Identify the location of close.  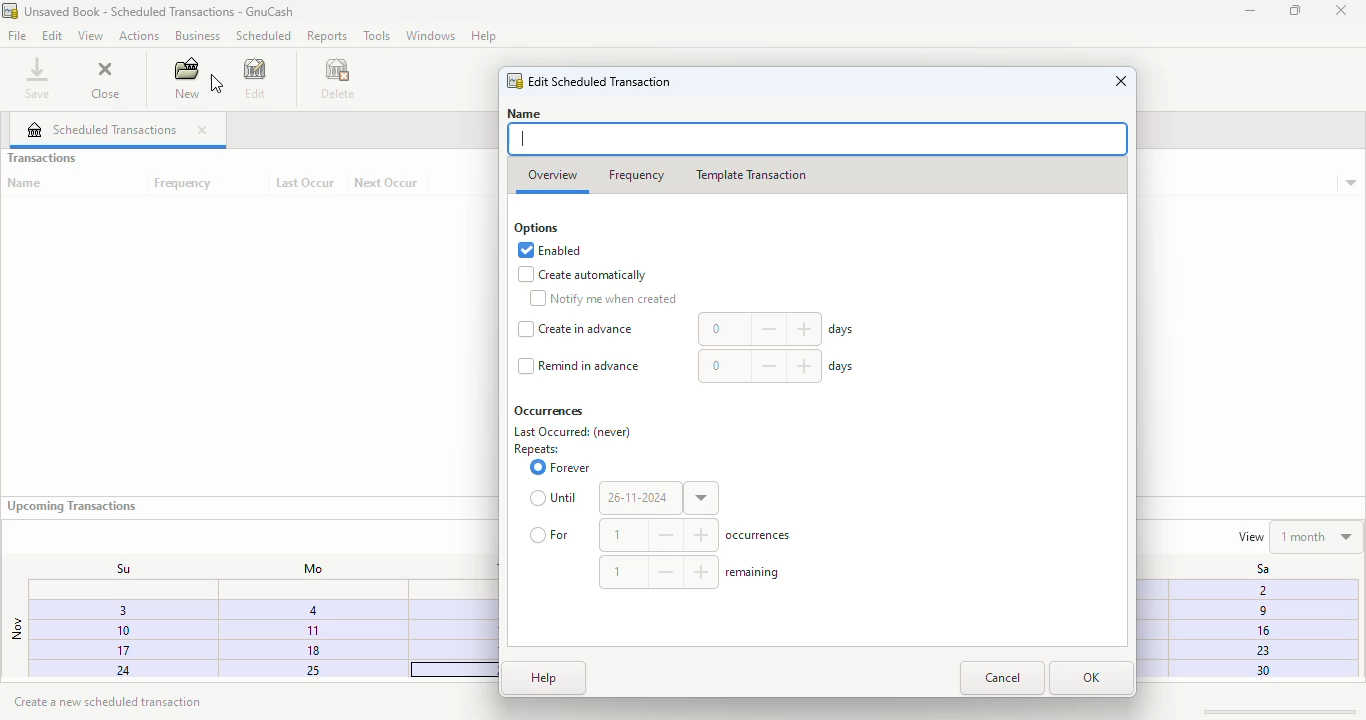
(1121, 81).